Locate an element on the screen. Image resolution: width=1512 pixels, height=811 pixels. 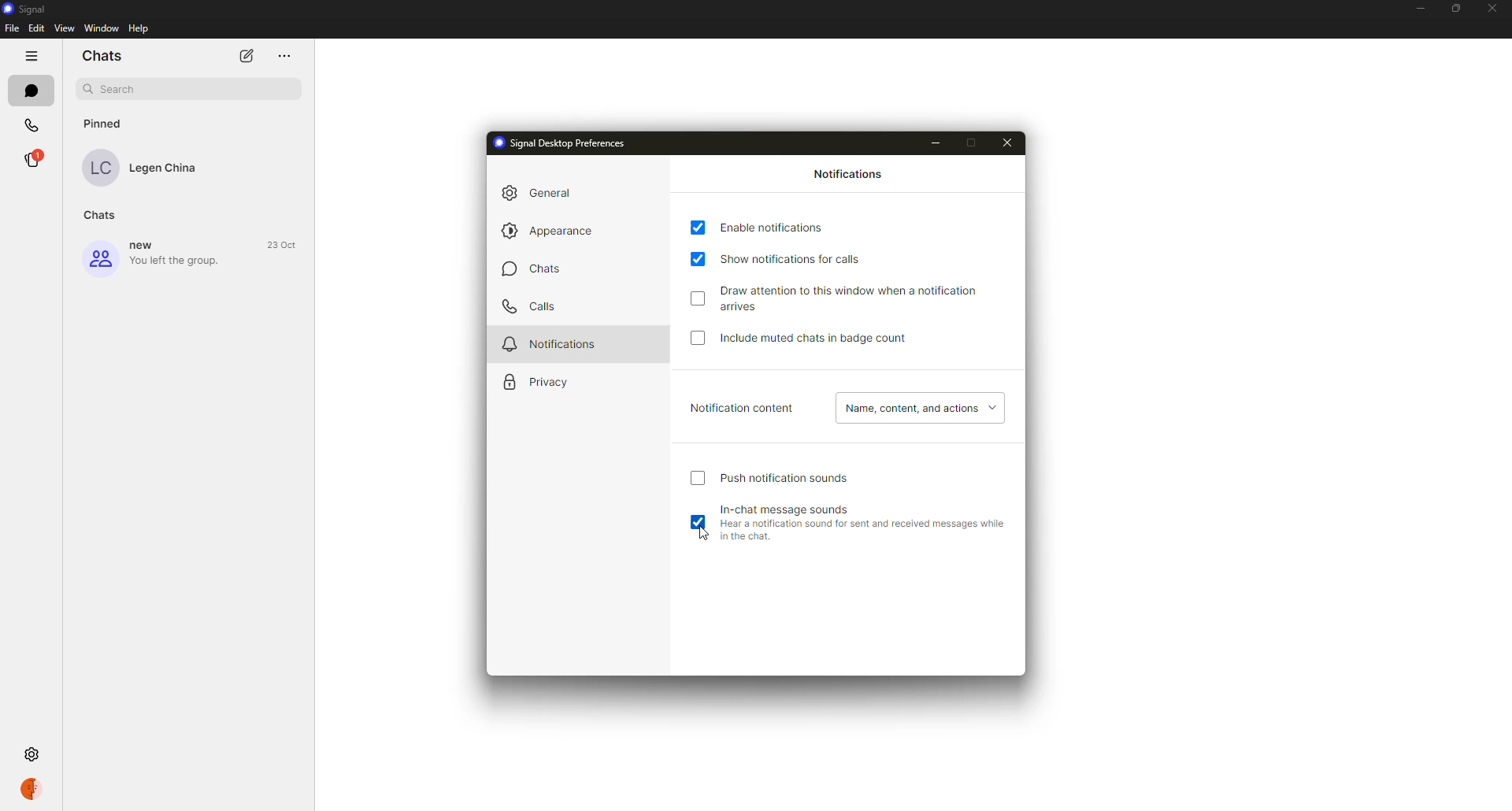
Help is located at coordinates (139, 28).